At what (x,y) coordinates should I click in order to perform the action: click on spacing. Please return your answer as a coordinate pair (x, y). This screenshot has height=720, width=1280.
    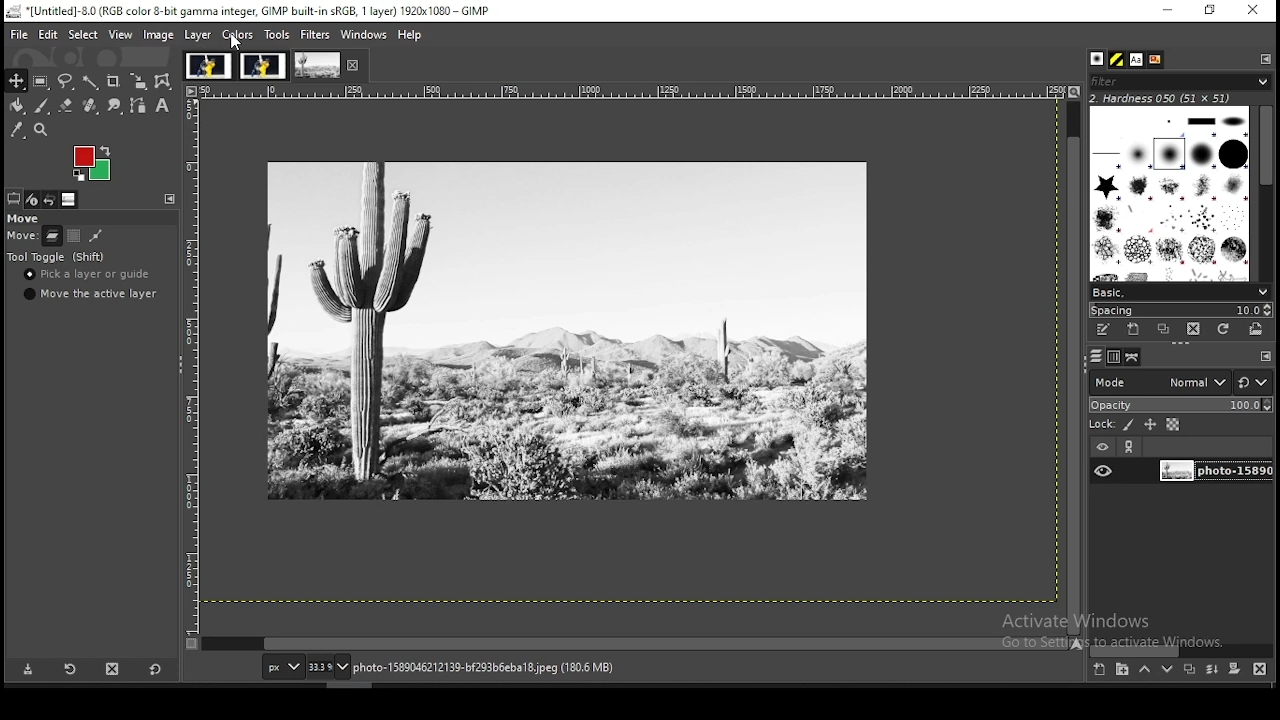
    Looking at the image, I should click on (1180, 310).